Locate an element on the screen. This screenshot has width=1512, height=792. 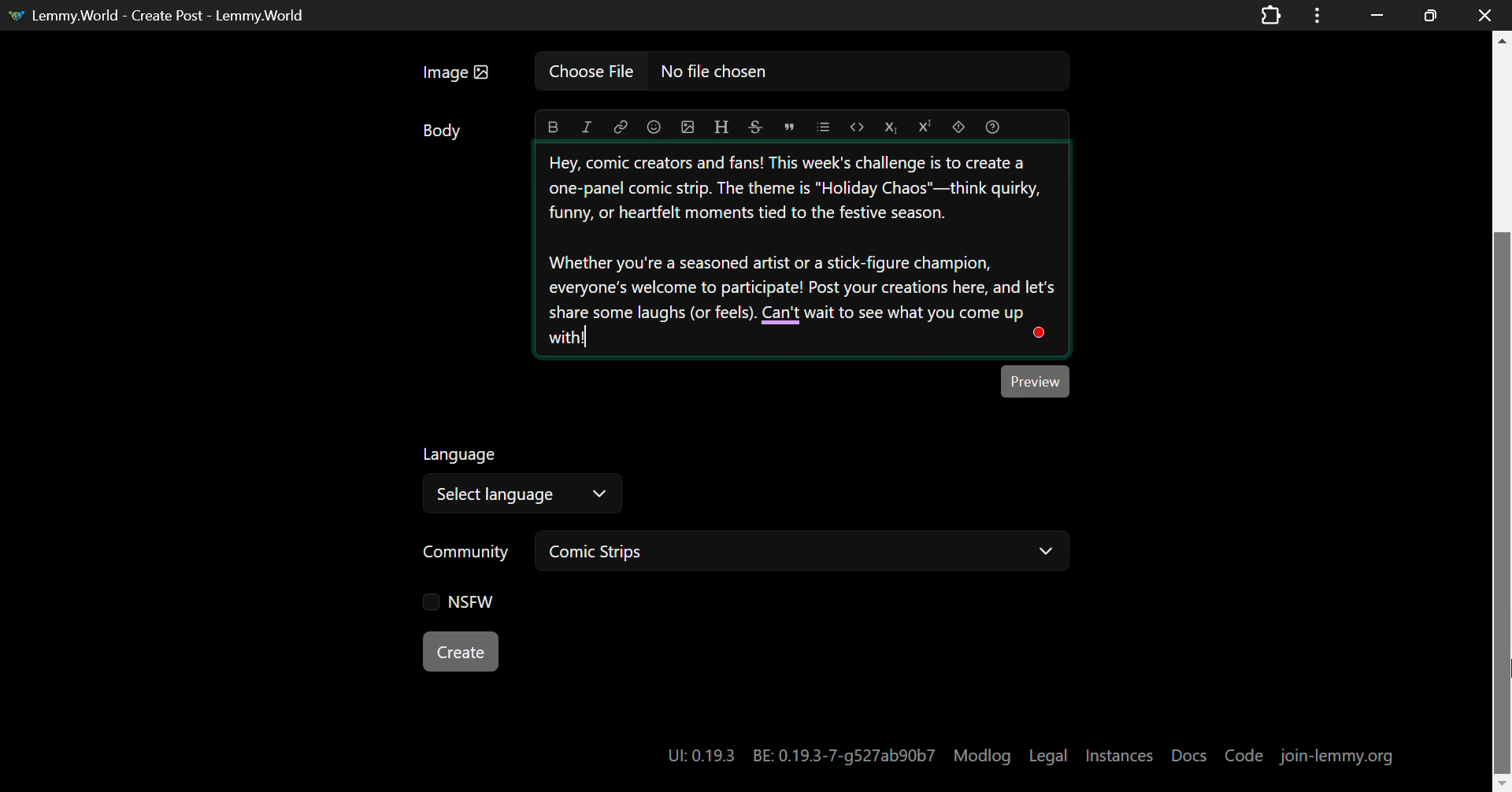
Legal is located at coordinates (1049, 757).